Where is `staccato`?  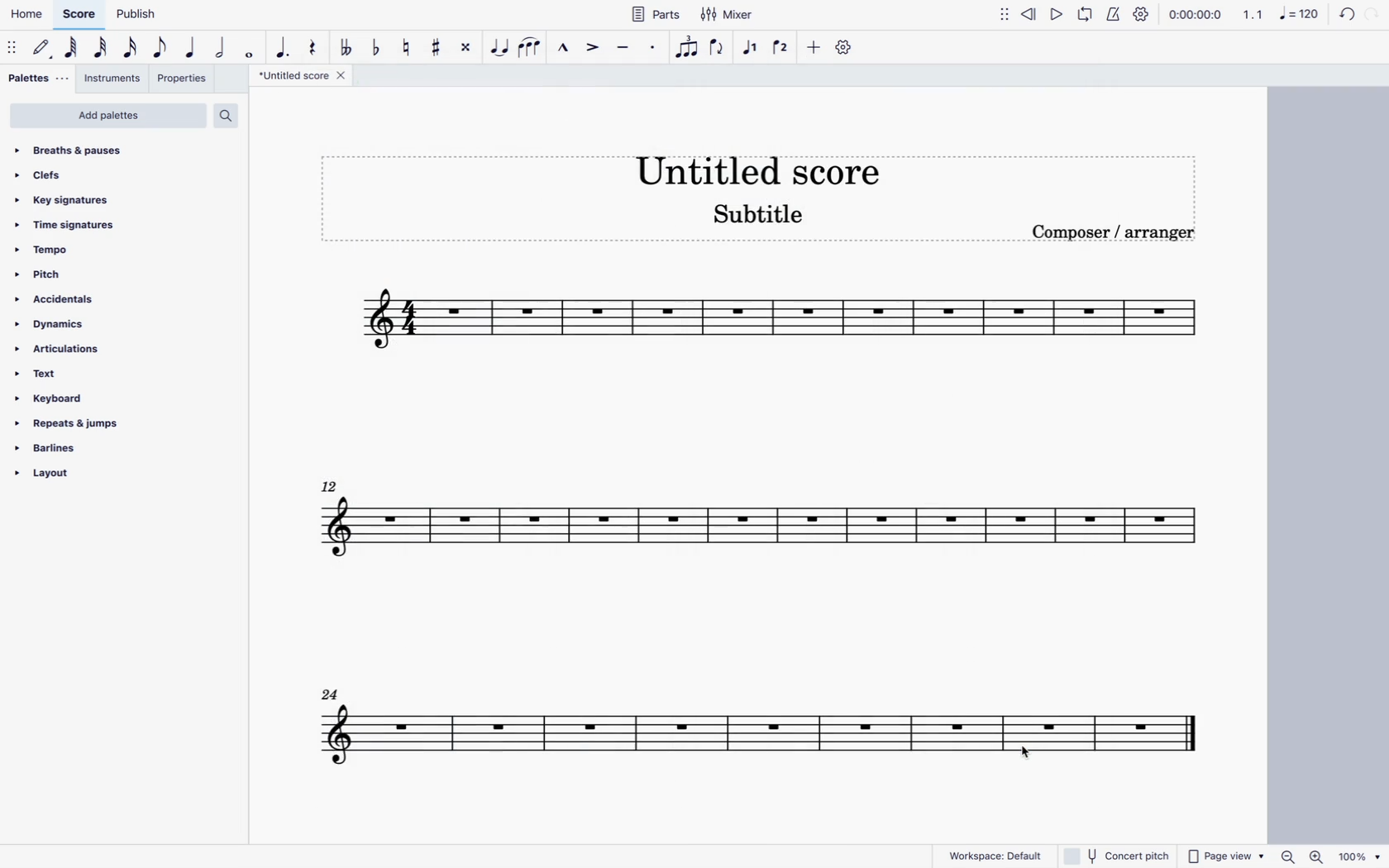
staccato is located at coordinates (652, 53).